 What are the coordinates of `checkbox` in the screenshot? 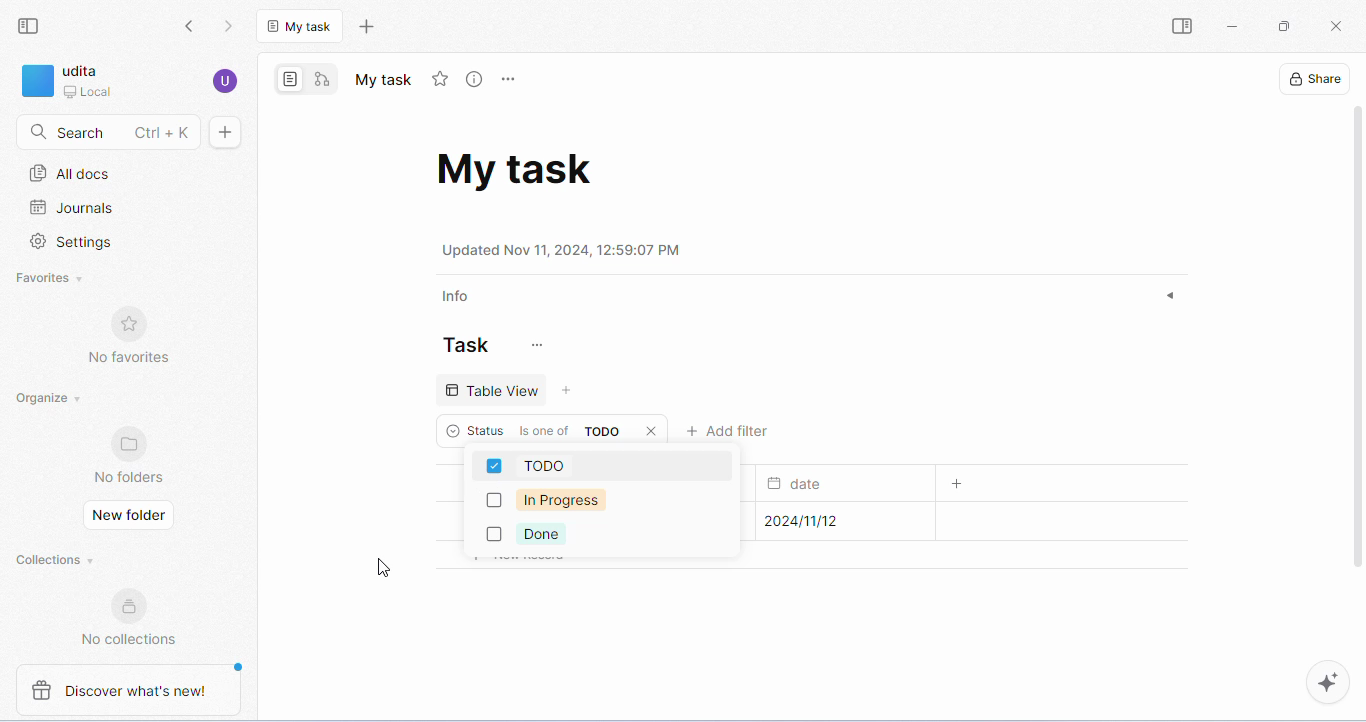 It's located at (494, 465).